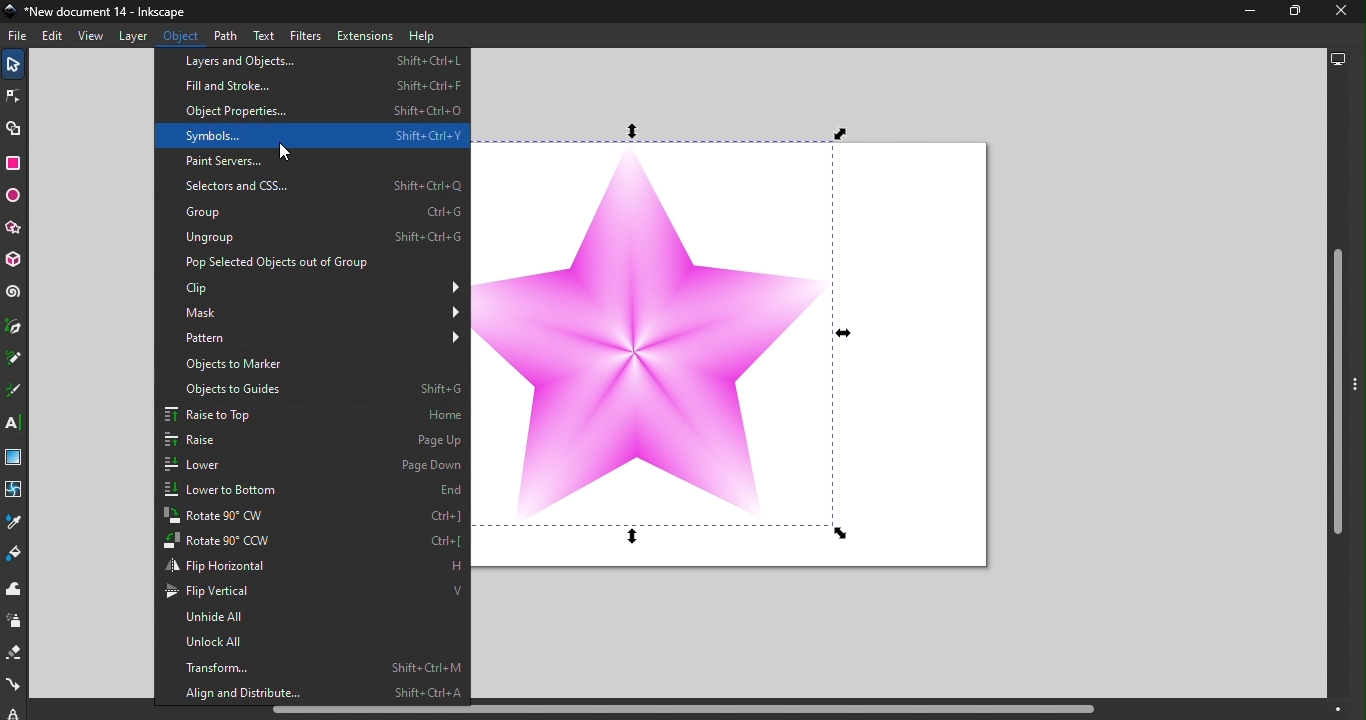 The image size is (1366, 720). What do you see at coordinates (312, 642) in the screenshot?
I see `Unlock all` at bounding box center [312, 642].